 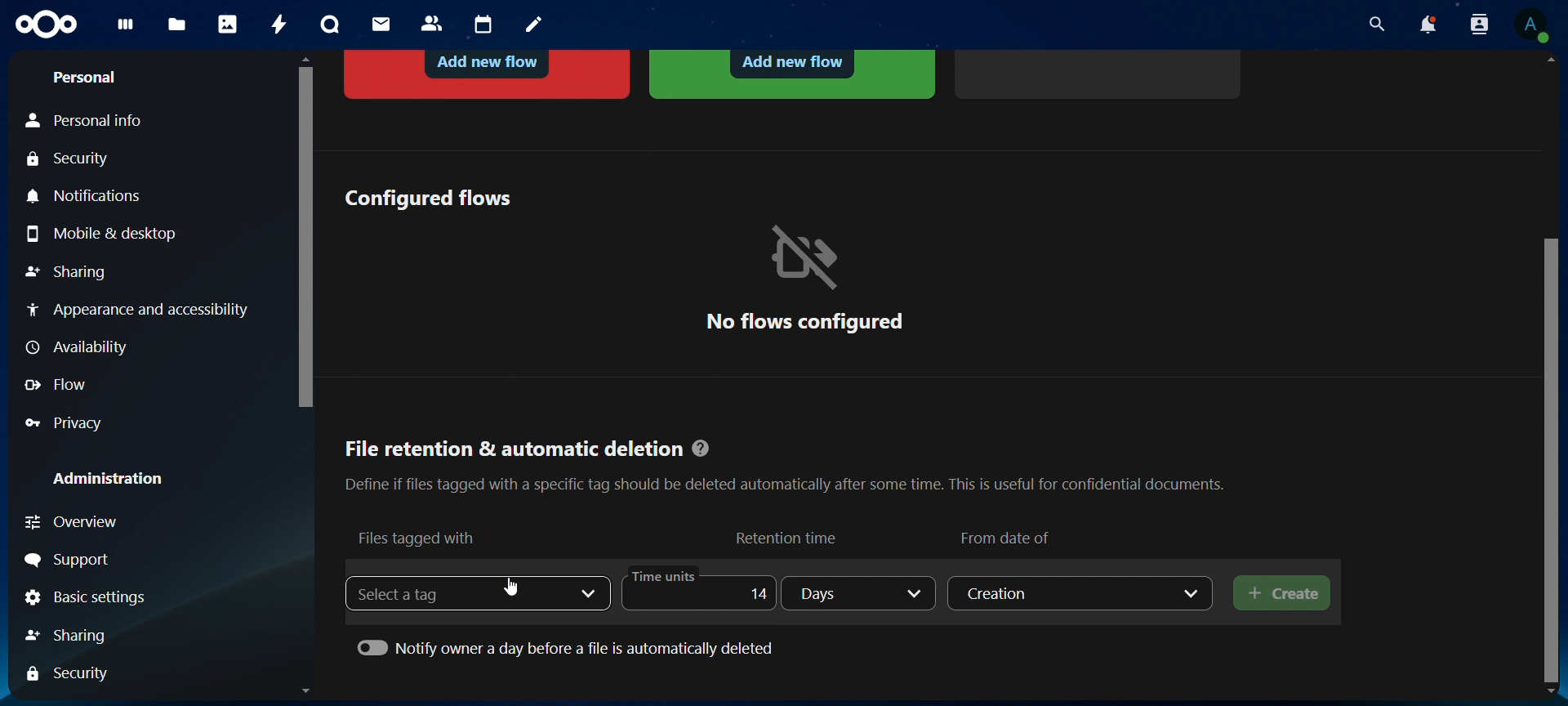 What do you see at coordinates (433, 25) in the screenshot?
I see `contacts` at bounding box center [433, 25].